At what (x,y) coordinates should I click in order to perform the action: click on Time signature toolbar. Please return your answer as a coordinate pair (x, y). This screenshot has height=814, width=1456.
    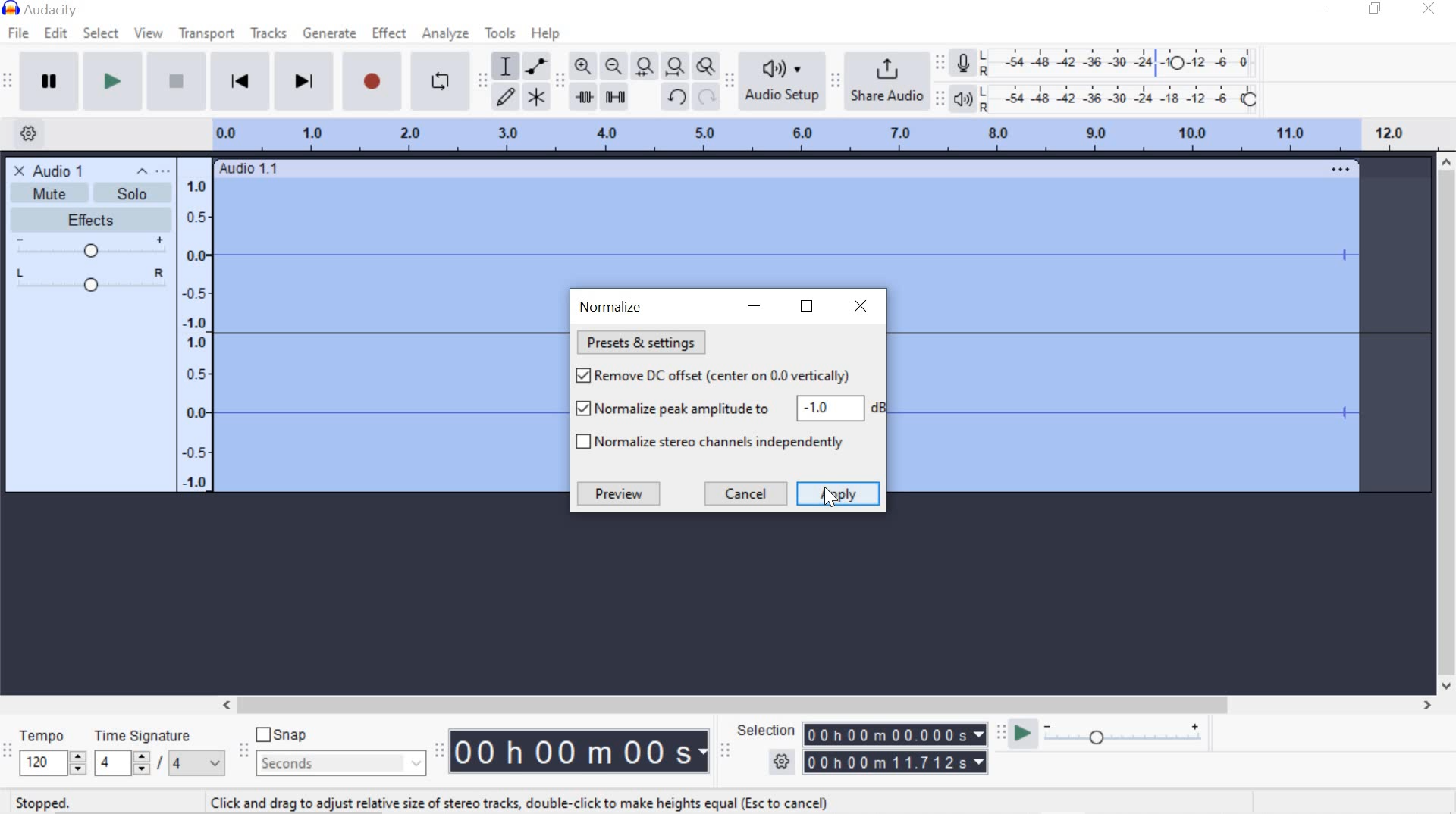
    Looking at the image, I should click on (8, 751).